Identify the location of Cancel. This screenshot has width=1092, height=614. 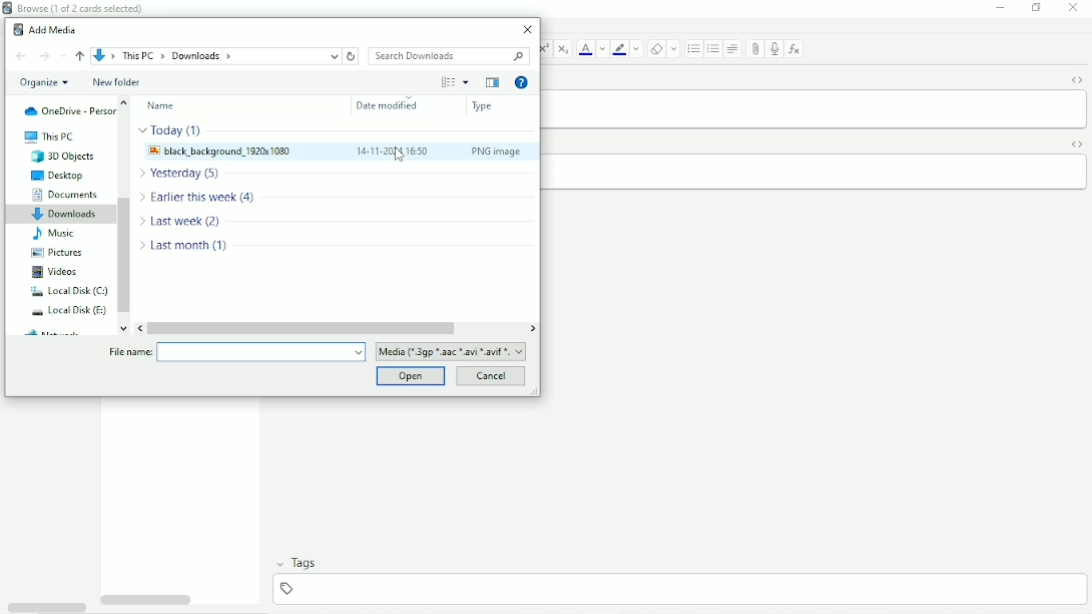
(491, 377).